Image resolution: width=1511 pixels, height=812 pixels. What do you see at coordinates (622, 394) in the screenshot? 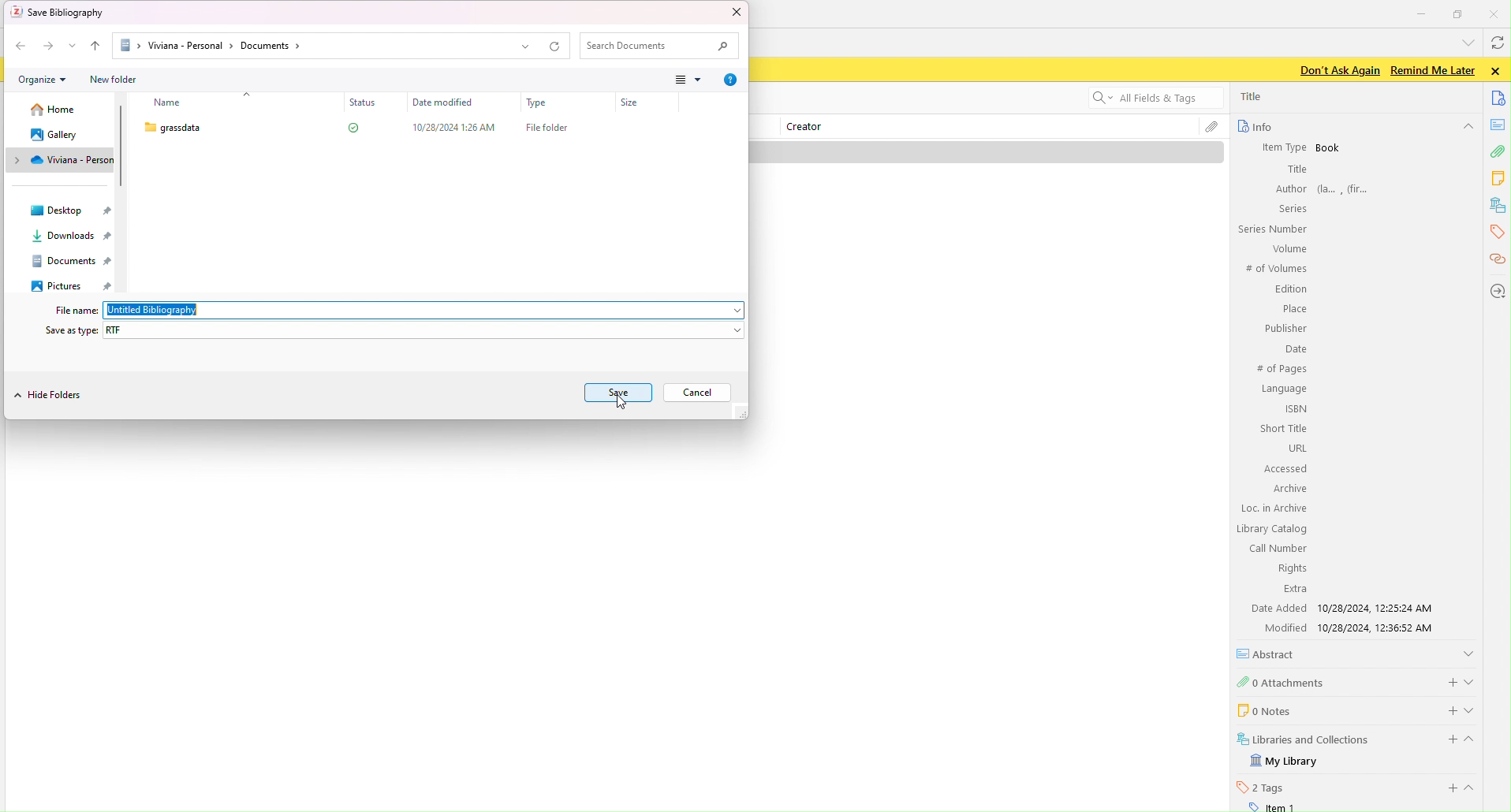
I see `Save` at bounding box center [622, 394].